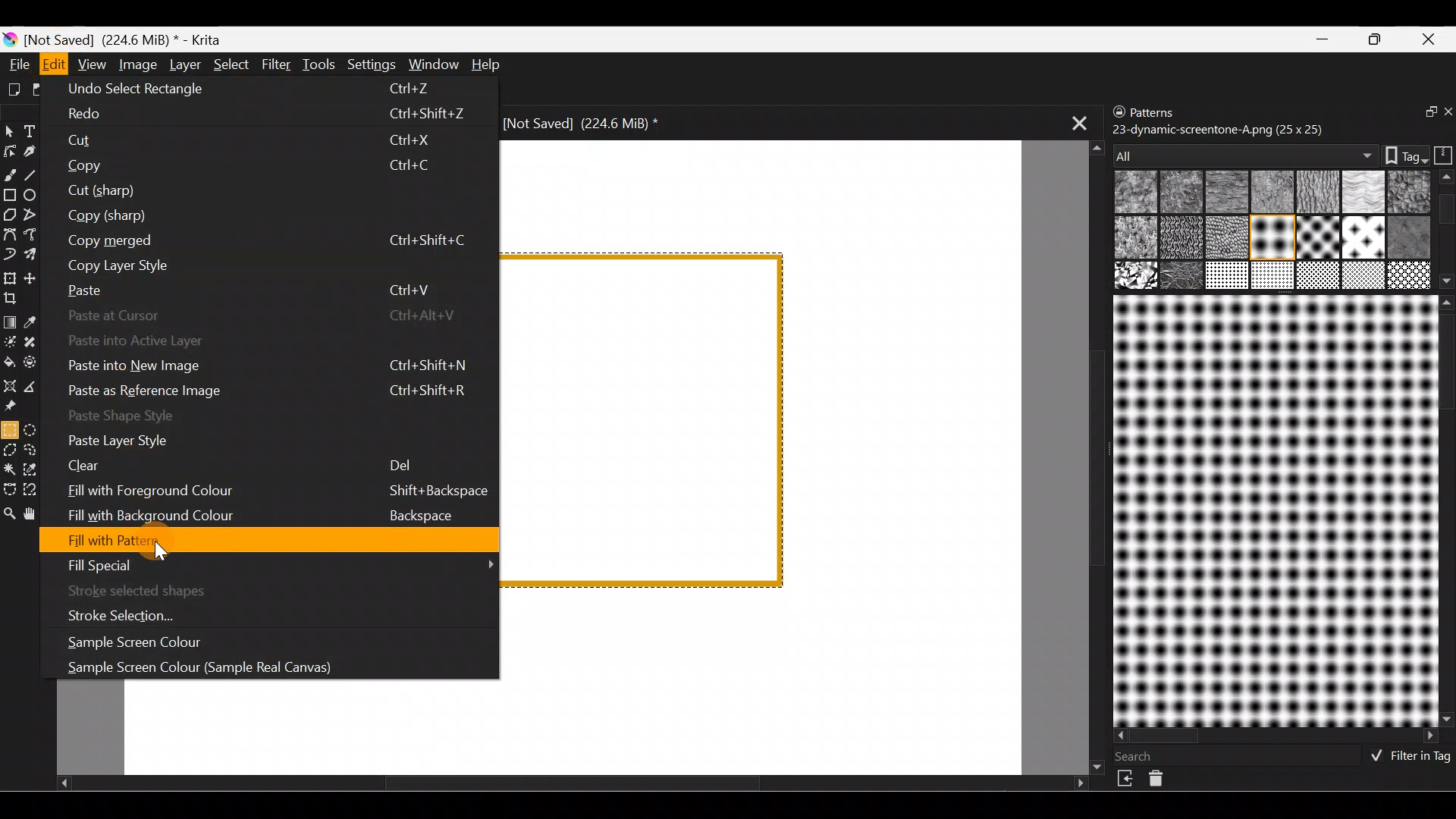  I want to click on Rectangular selection tool, so click(9, 429).